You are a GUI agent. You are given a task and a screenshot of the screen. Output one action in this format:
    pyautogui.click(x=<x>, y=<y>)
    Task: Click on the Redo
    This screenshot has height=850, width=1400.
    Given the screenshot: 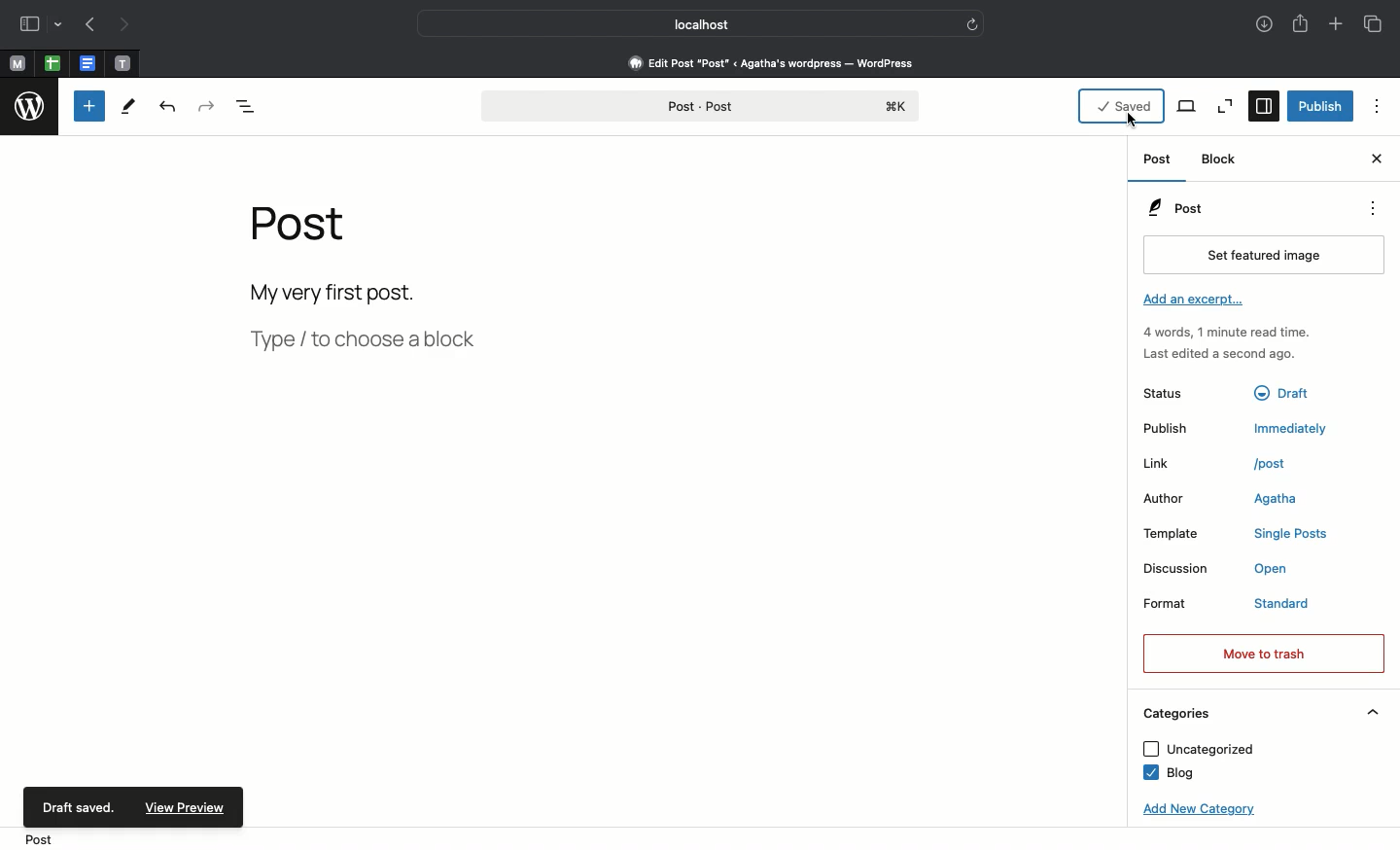 What is the action you would take?
    pyautogui.click(x=207, y=107)
    